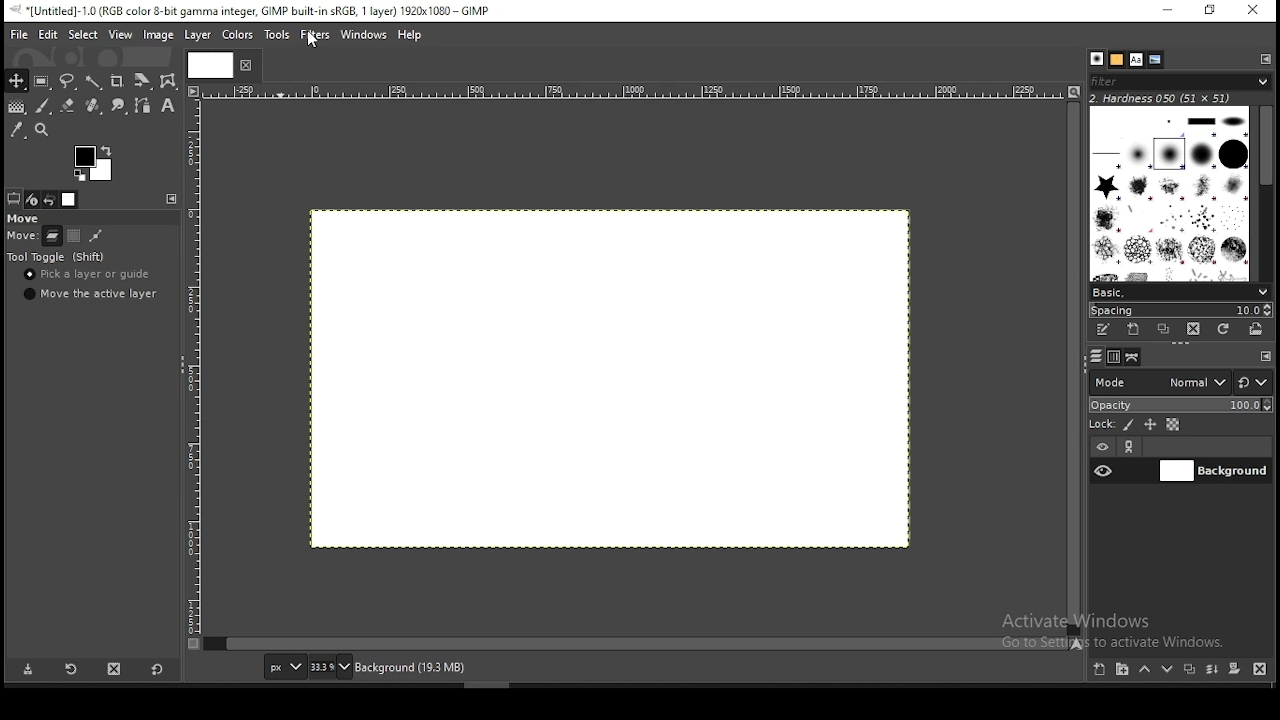  Describe the element at coordinates (75, 235) in the screenshot. I see `move channels` at that location.